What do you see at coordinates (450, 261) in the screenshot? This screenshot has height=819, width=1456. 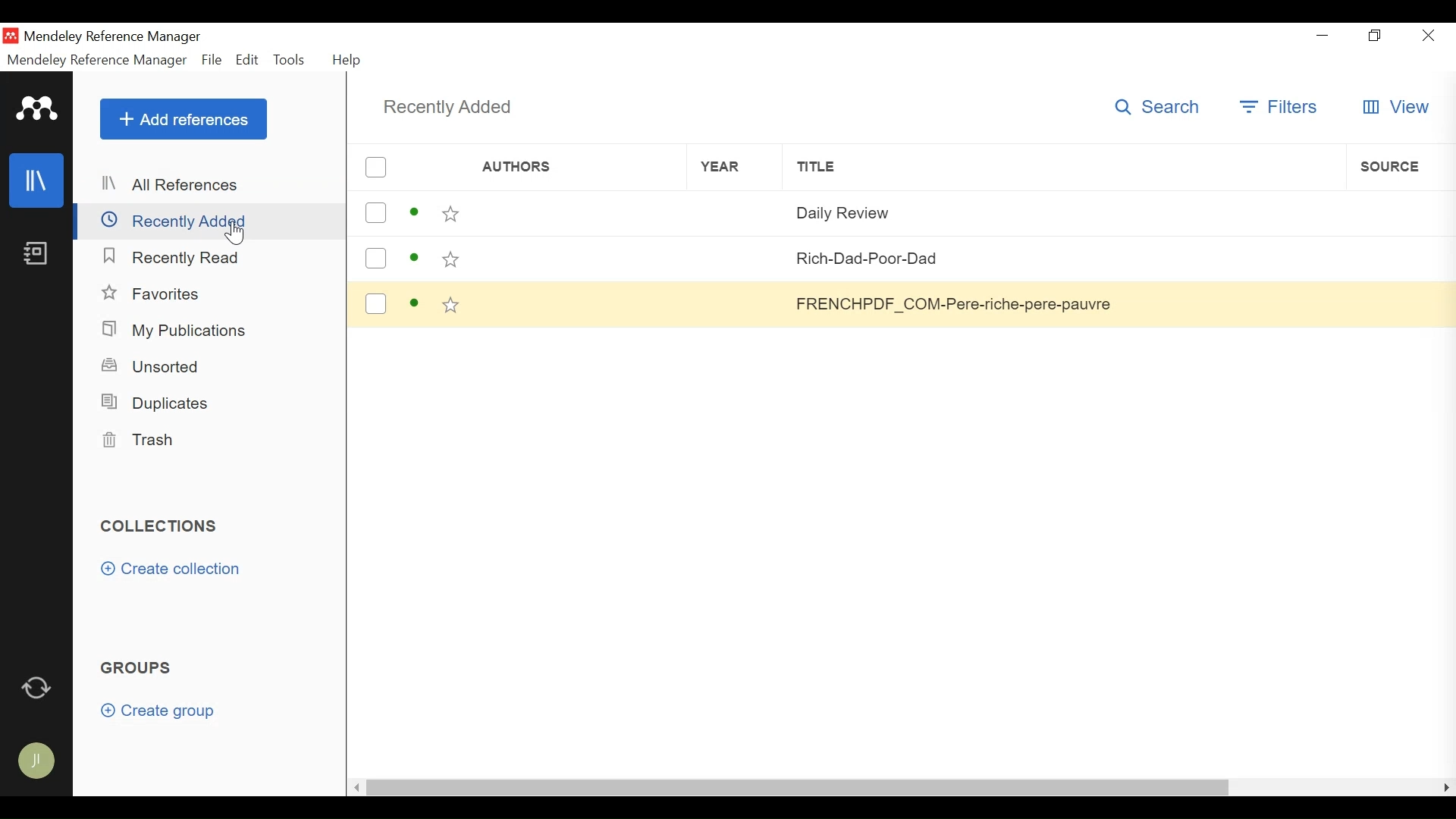 I see `(un)select Favorite` at bounding box center [450, 261].